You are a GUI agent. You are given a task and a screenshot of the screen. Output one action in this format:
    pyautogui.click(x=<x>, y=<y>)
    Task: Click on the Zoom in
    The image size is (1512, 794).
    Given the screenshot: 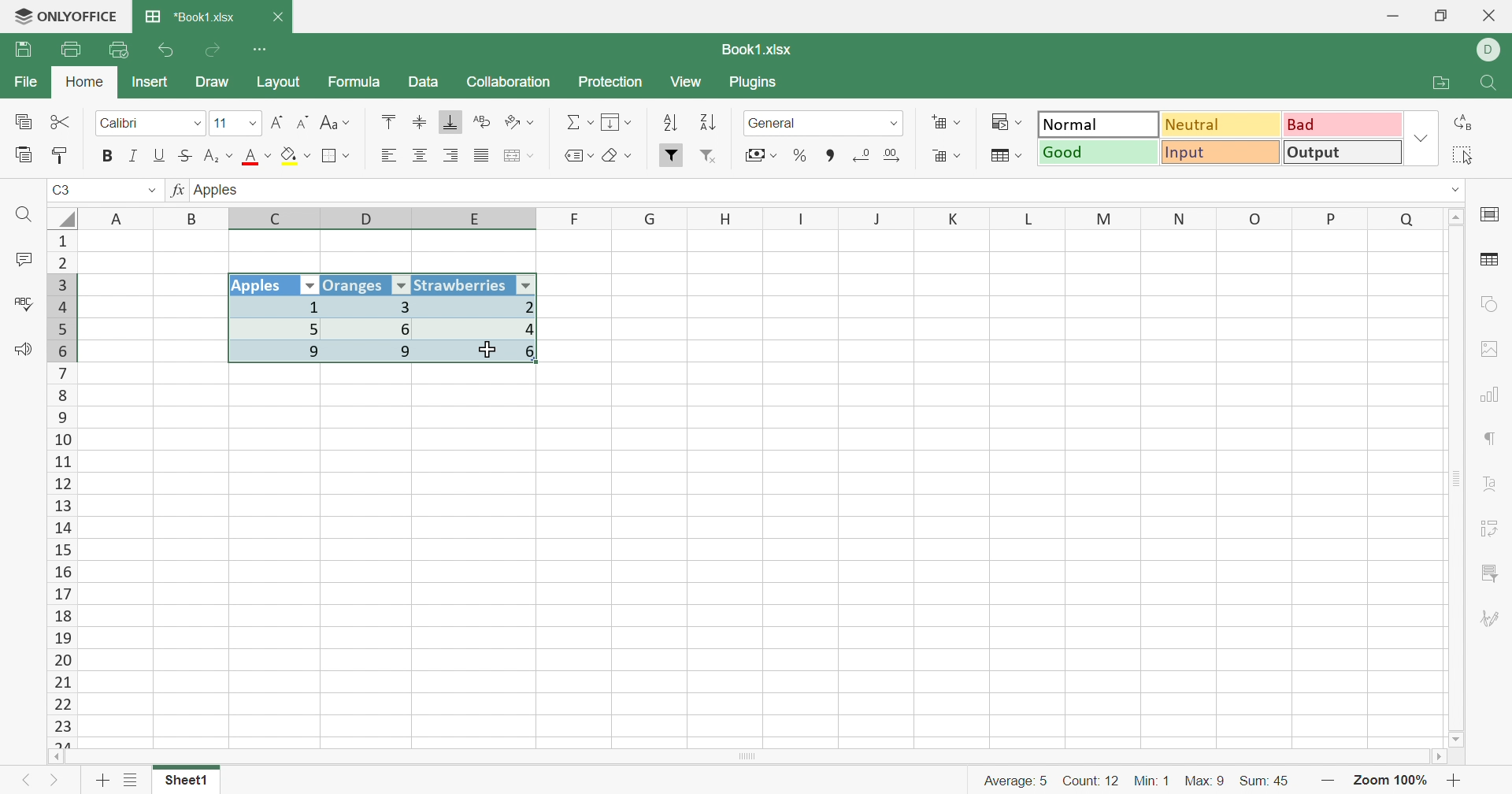 What is the action you would take?
    pyautogui.click(x=1458, y=781)
    